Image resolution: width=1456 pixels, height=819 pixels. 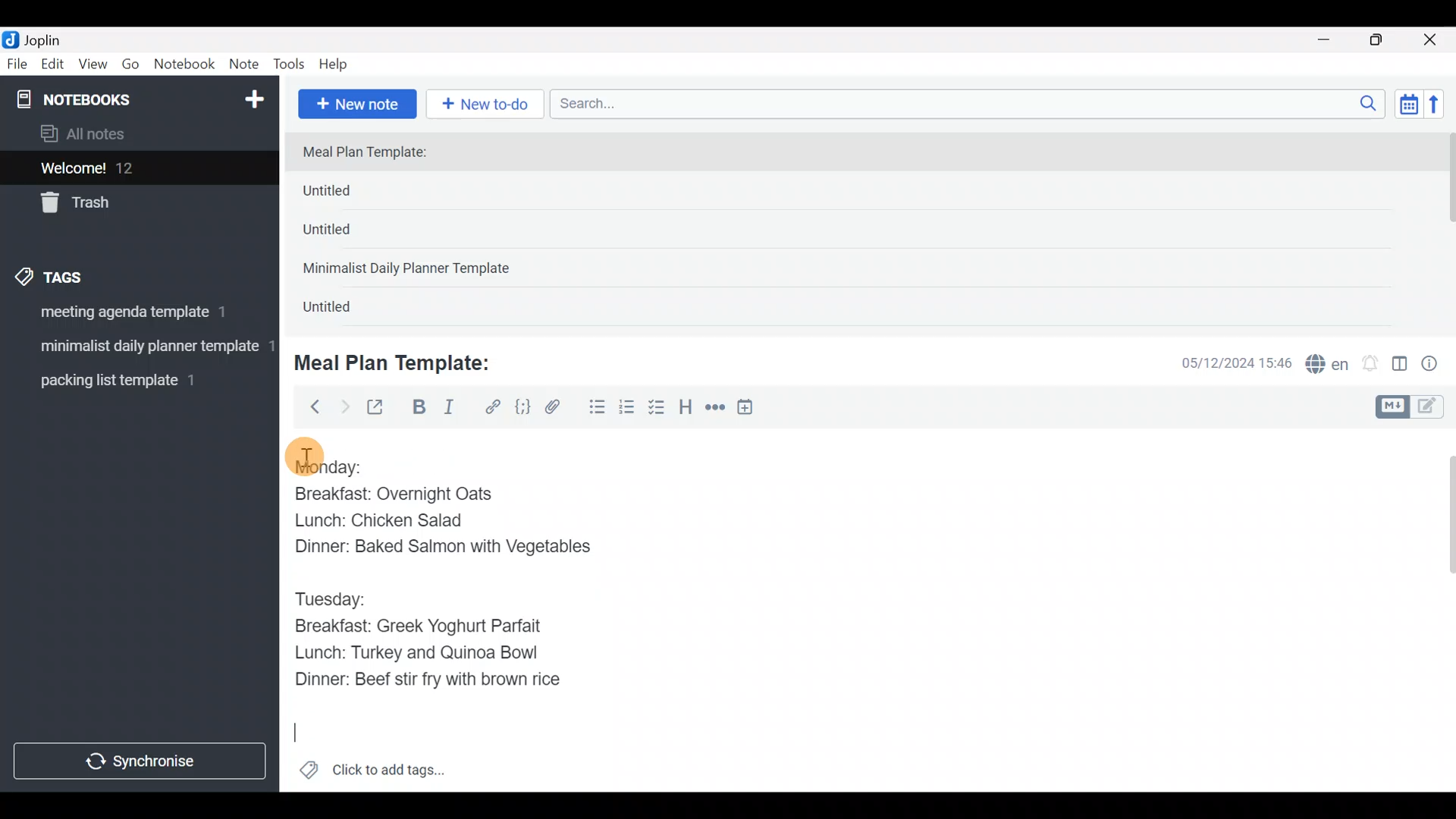 I want to click on Tag 3, so click(x=134, y=380).